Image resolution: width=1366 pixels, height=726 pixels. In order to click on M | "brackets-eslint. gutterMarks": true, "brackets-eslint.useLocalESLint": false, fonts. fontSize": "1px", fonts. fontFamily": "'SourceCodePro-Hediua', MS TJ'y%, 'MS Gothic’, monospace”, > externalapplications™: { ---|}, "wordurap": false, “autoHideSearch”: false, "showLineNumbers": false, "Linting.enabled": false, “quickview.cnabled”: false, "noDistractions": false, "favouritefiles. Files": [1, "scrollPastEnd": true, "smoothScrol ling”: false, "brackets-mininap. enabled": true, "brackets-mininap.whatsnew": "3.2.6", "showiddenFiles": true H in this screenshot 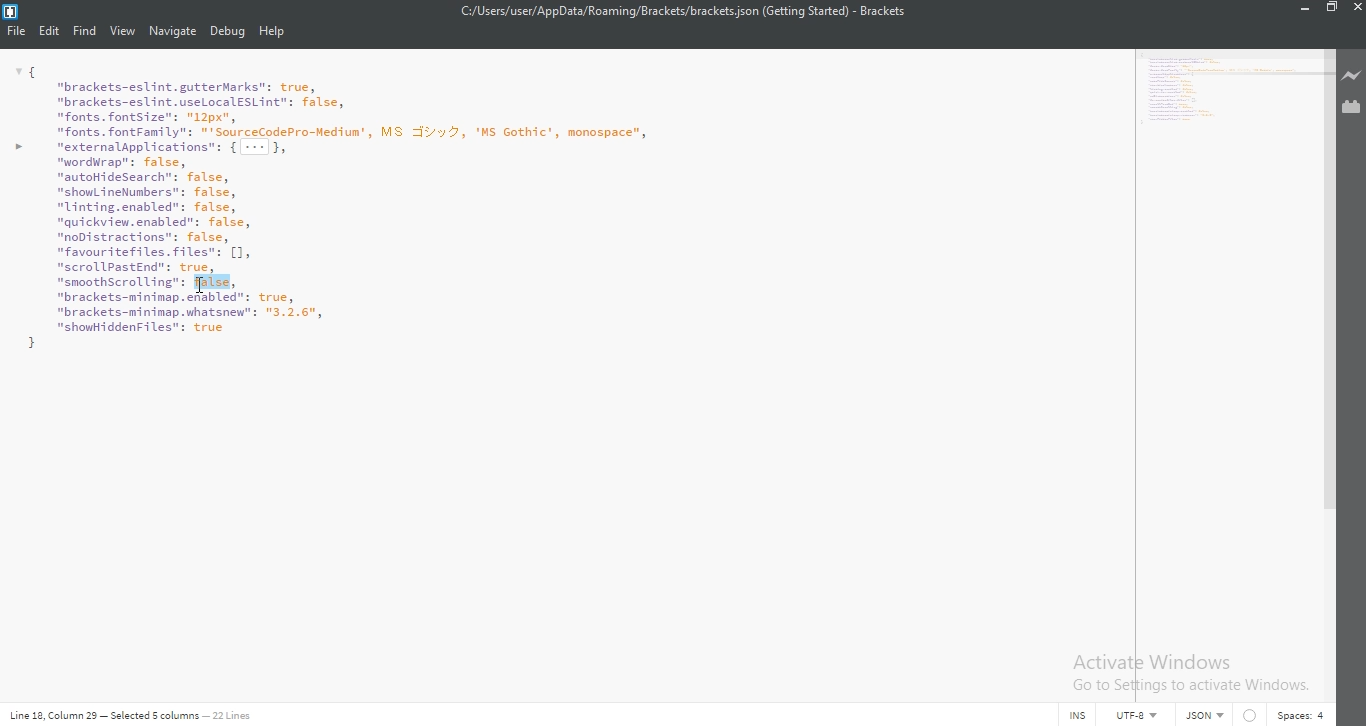, I will do `click(1225, 92)`.